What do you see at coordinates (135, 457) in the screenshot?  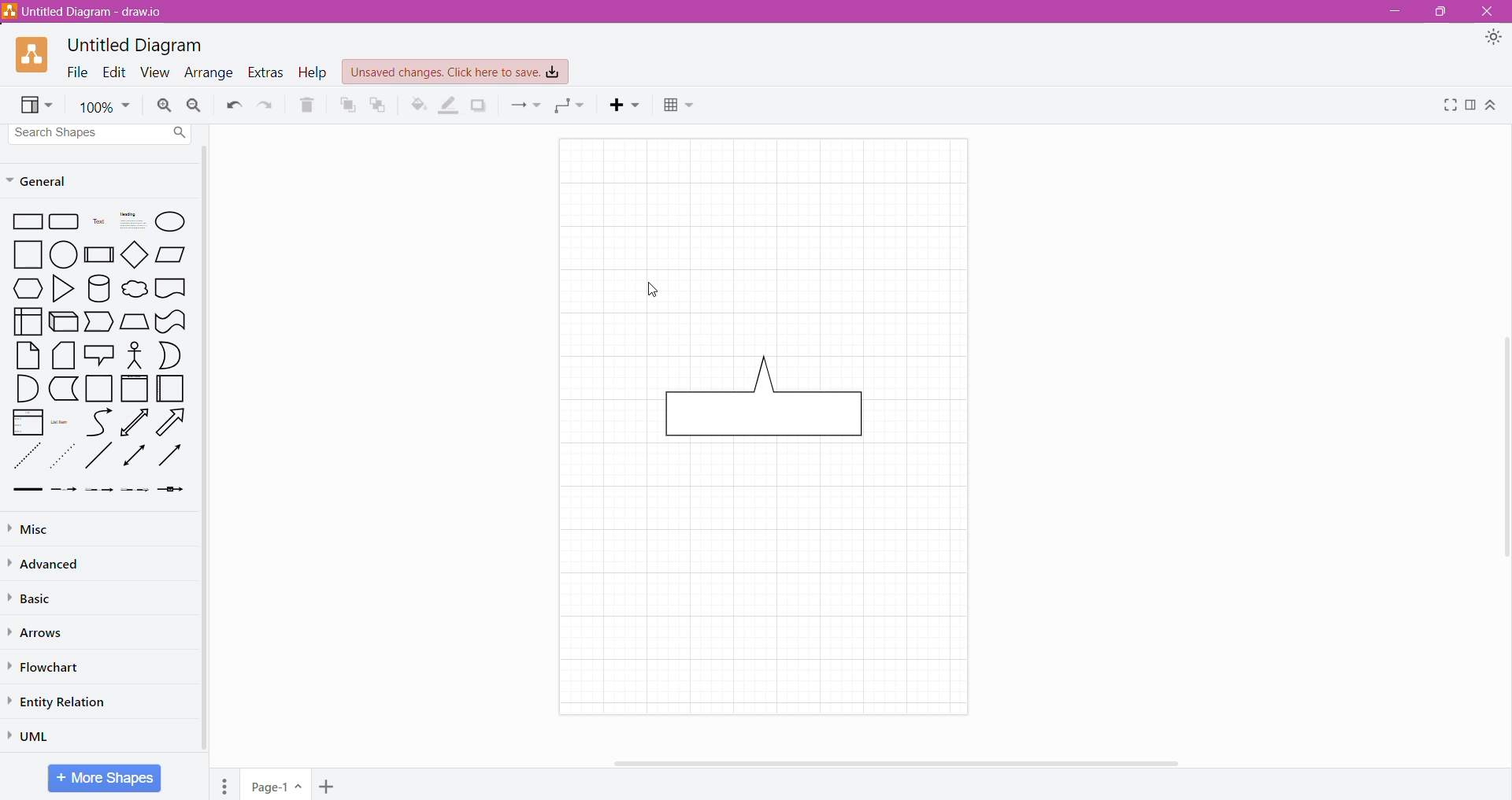 I see `Double Arrow ` at bounding box center [135, 457].